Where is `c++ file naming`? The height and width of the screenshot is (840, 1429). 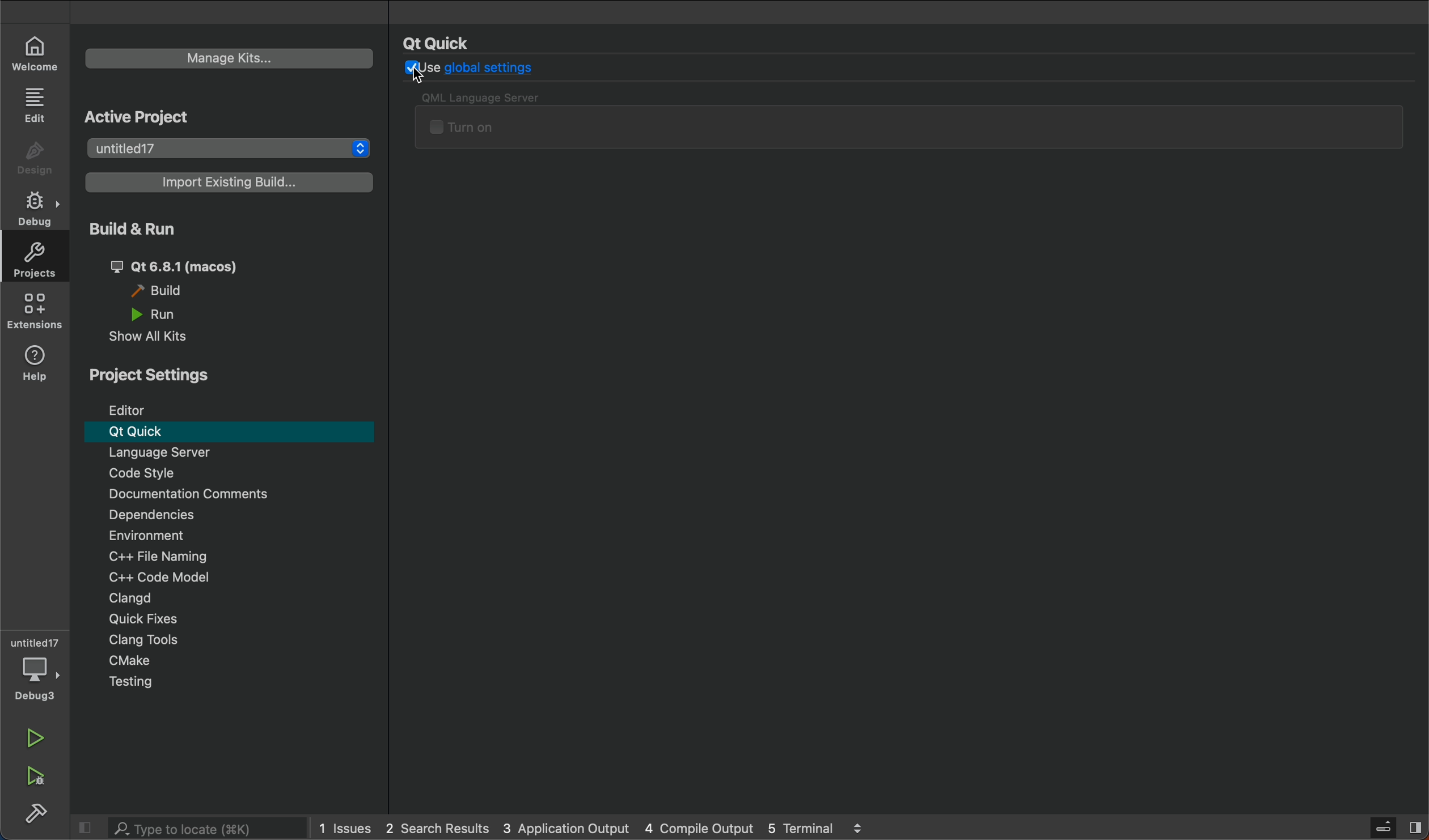
c++ file naming is located at coordinates (235, 556).